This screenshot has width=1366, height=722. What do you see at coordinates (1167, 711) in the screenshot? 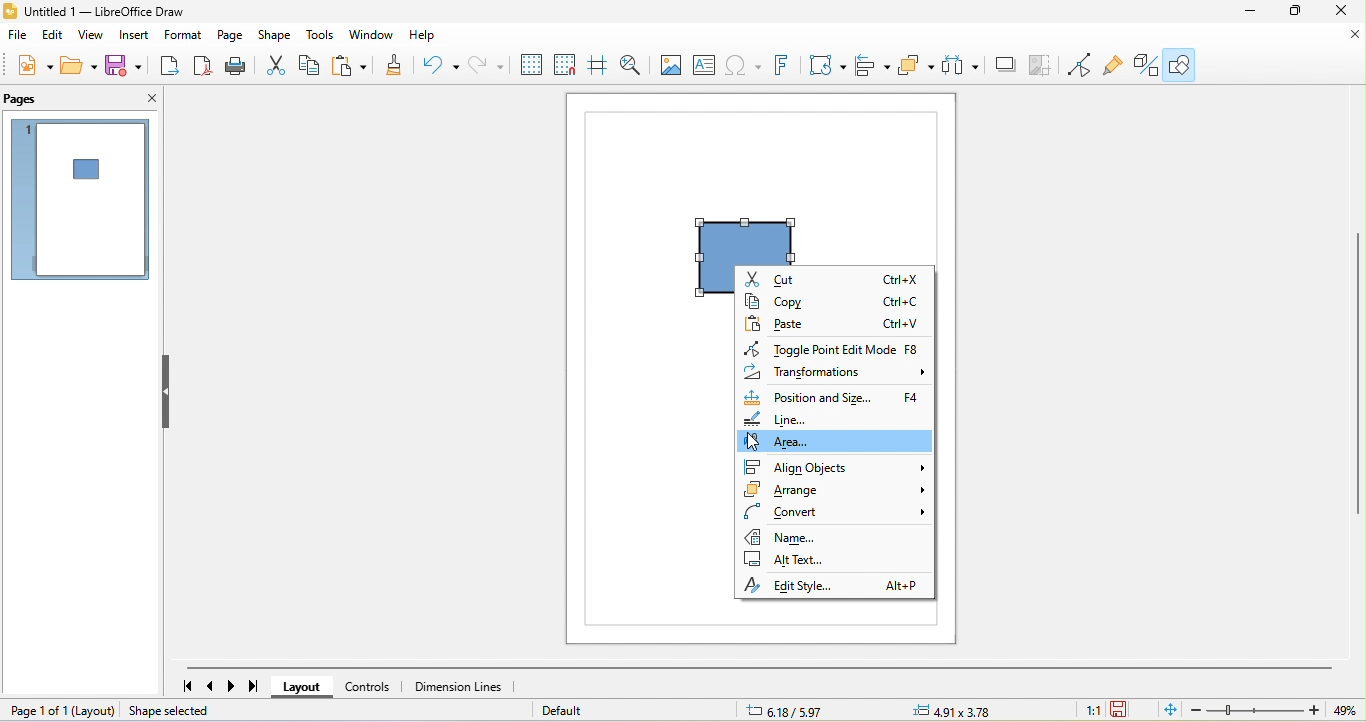
I see `fit page to current window` at bounding box center [1167, 711].